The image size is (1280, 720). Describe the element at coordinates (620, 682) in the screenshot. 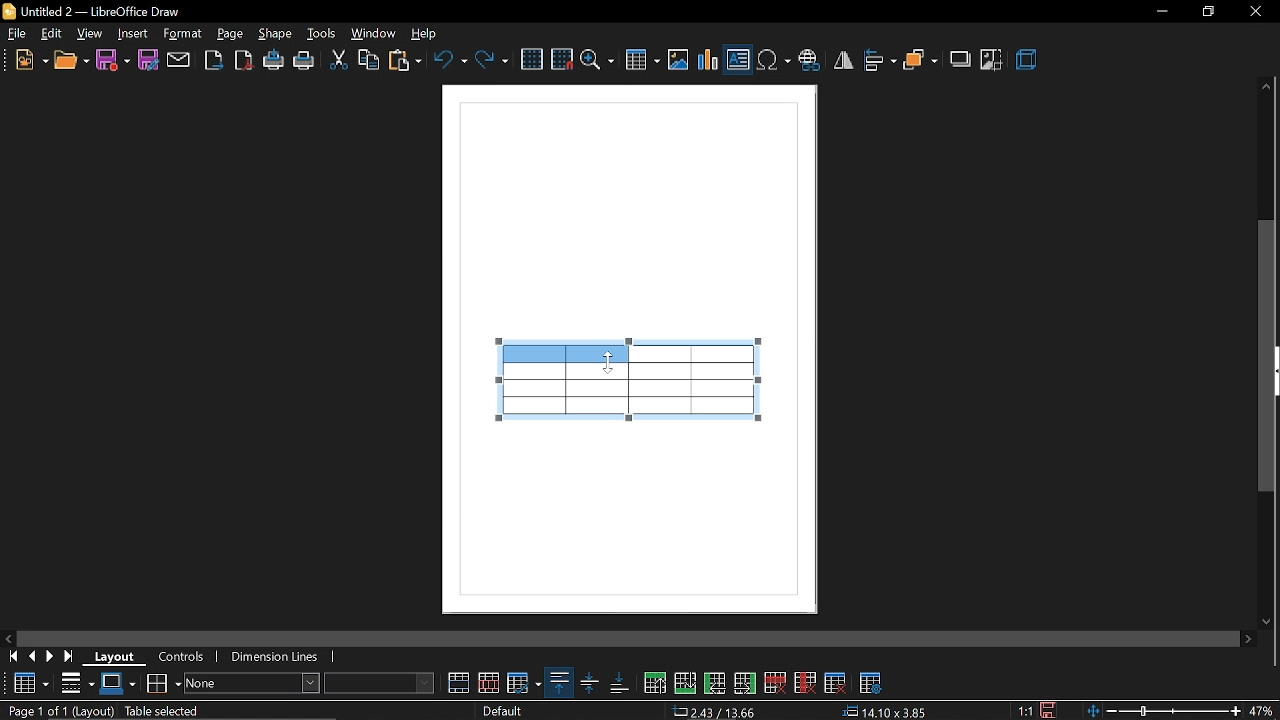

I see `align bottom` at that location.